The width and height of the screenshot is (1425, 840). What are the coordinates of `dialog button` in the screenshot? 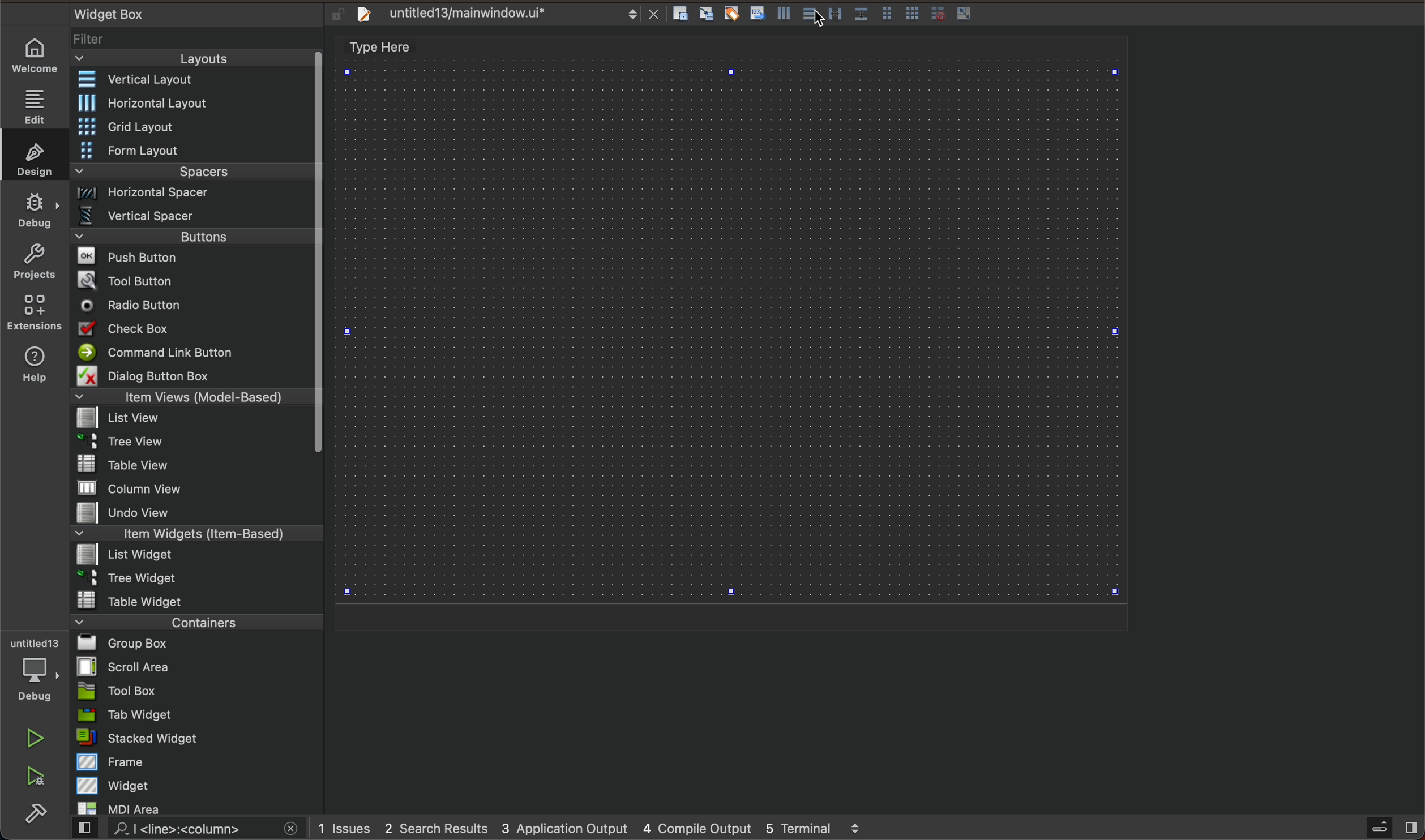 It's located at (194, 375).